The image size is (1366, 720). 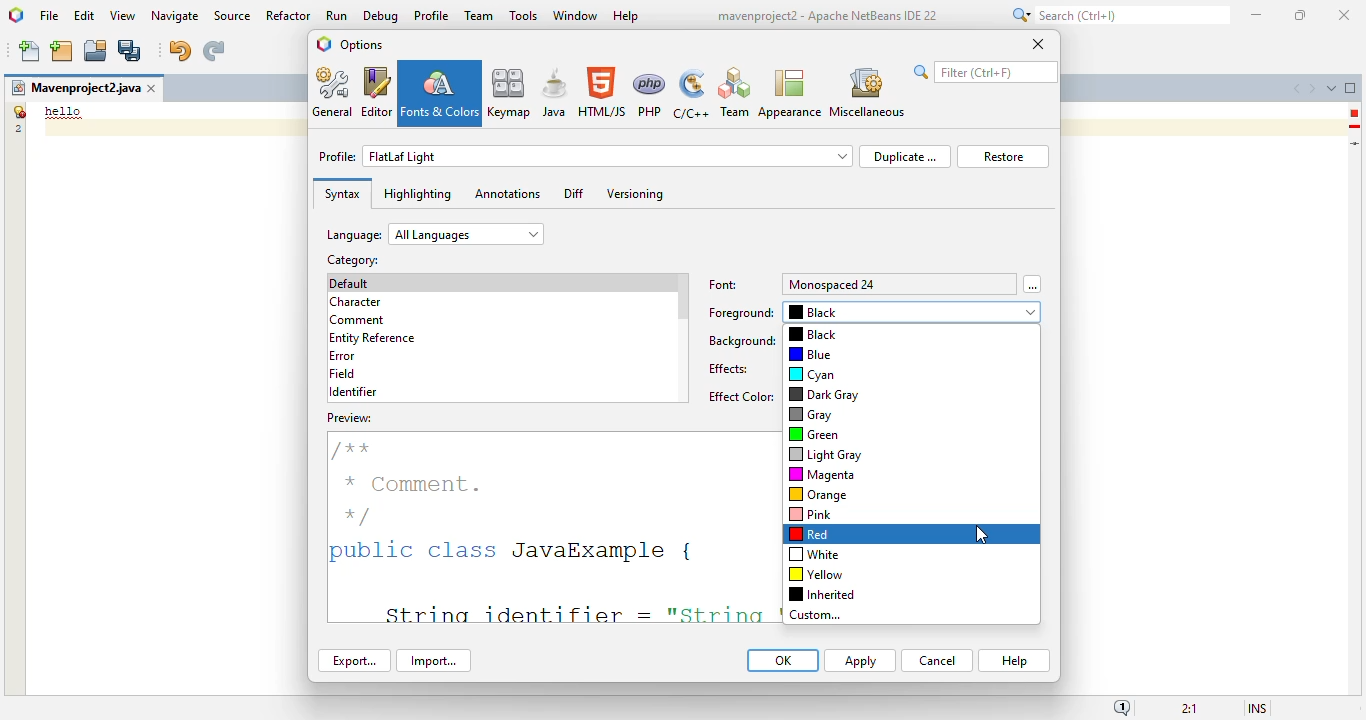 I want to click on blue, so click(x=810, y=354).